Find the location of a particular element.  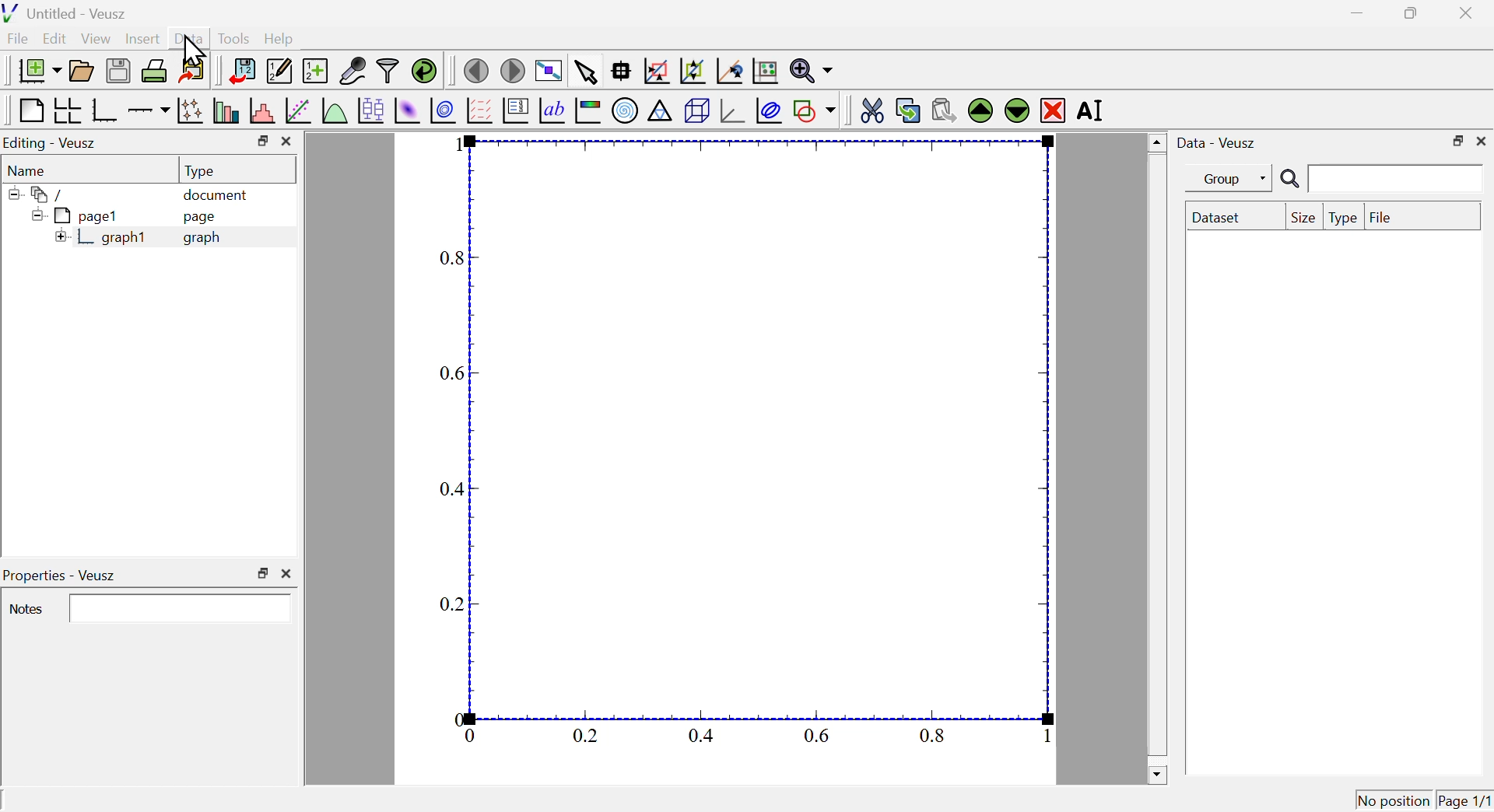

open a document is located at coordinates (83, 69).